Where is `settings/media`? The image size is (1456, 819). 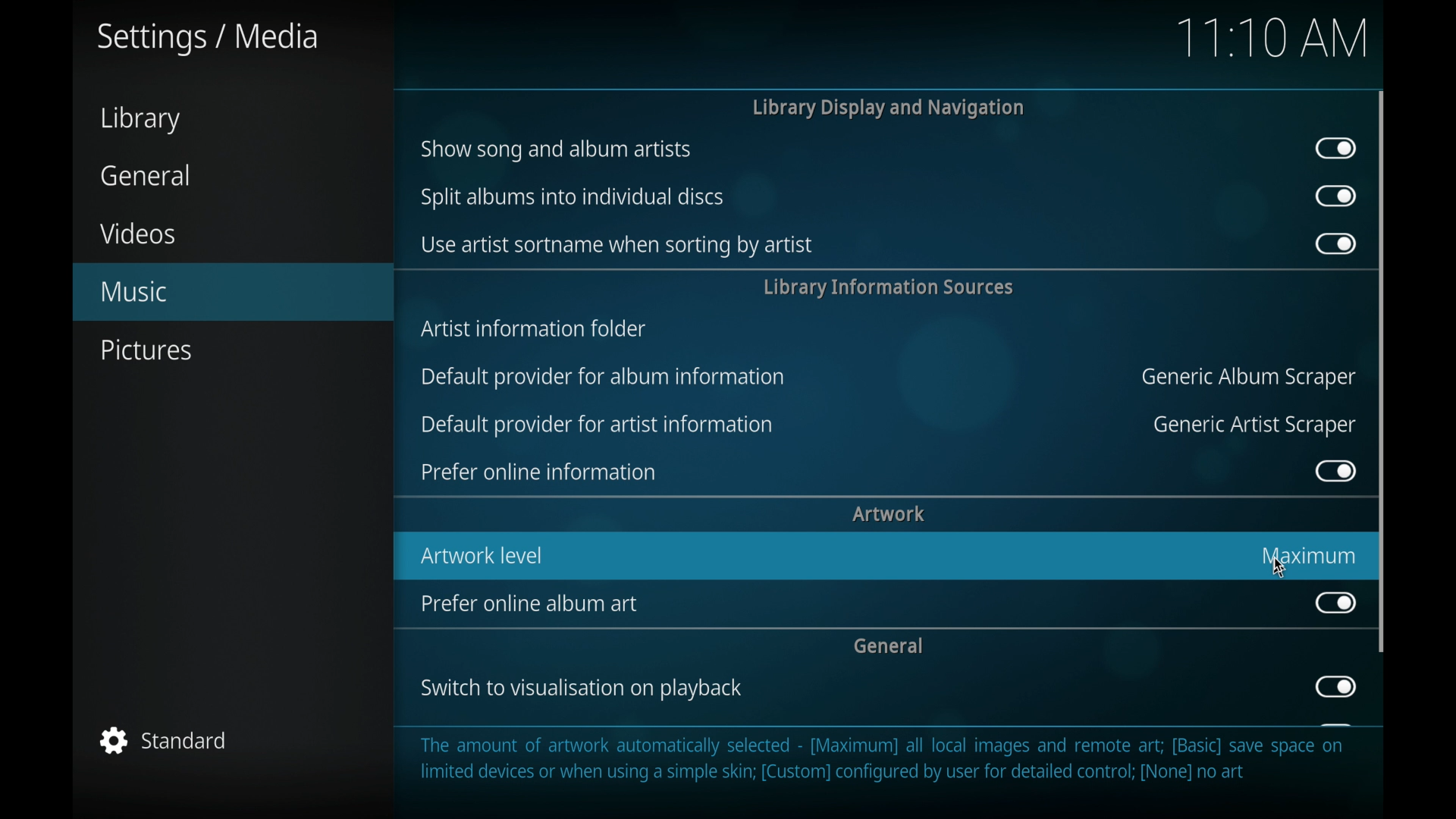 settings/media is located at coordinates (208, 38).